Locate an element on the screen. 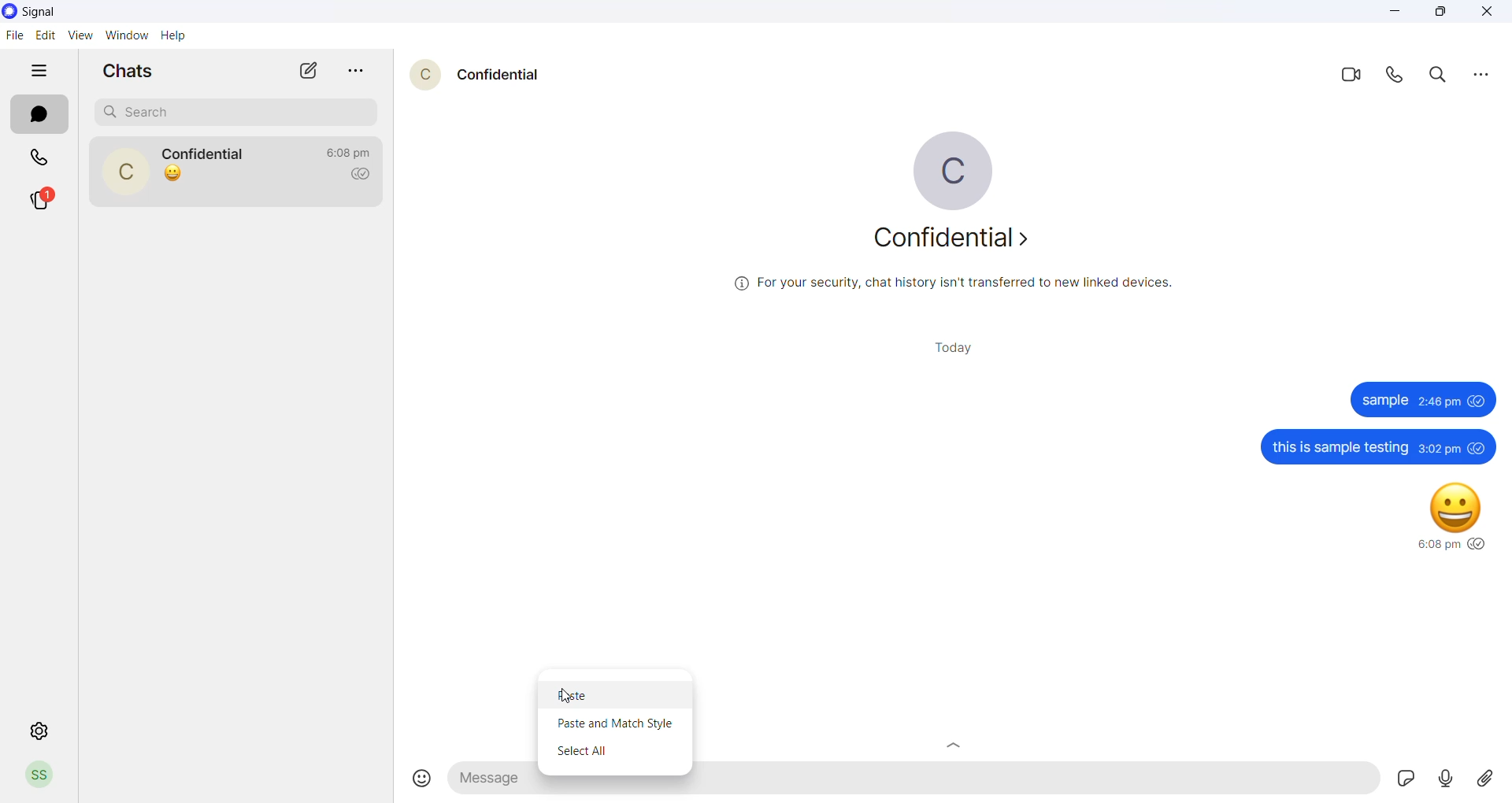 The height and width of the screenshot is (803, 1512). view is located at coordinates (81, 35).